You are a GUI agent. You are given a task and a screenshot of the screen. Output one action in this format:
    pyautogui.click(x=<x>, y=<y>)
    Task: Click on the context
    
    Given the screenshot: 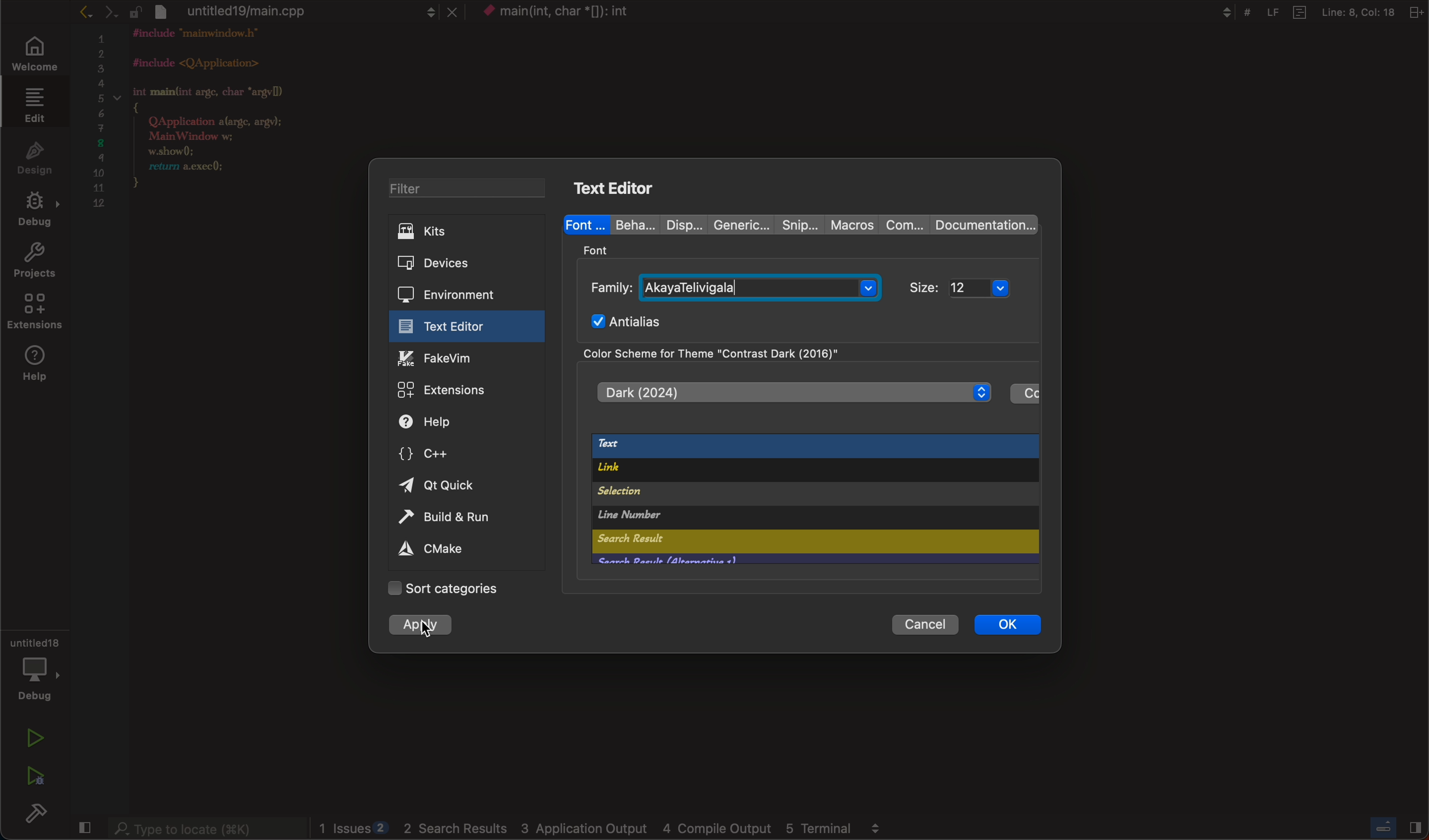 What is the action you would take?
    pyautogui.click(x=570, y=13)
    